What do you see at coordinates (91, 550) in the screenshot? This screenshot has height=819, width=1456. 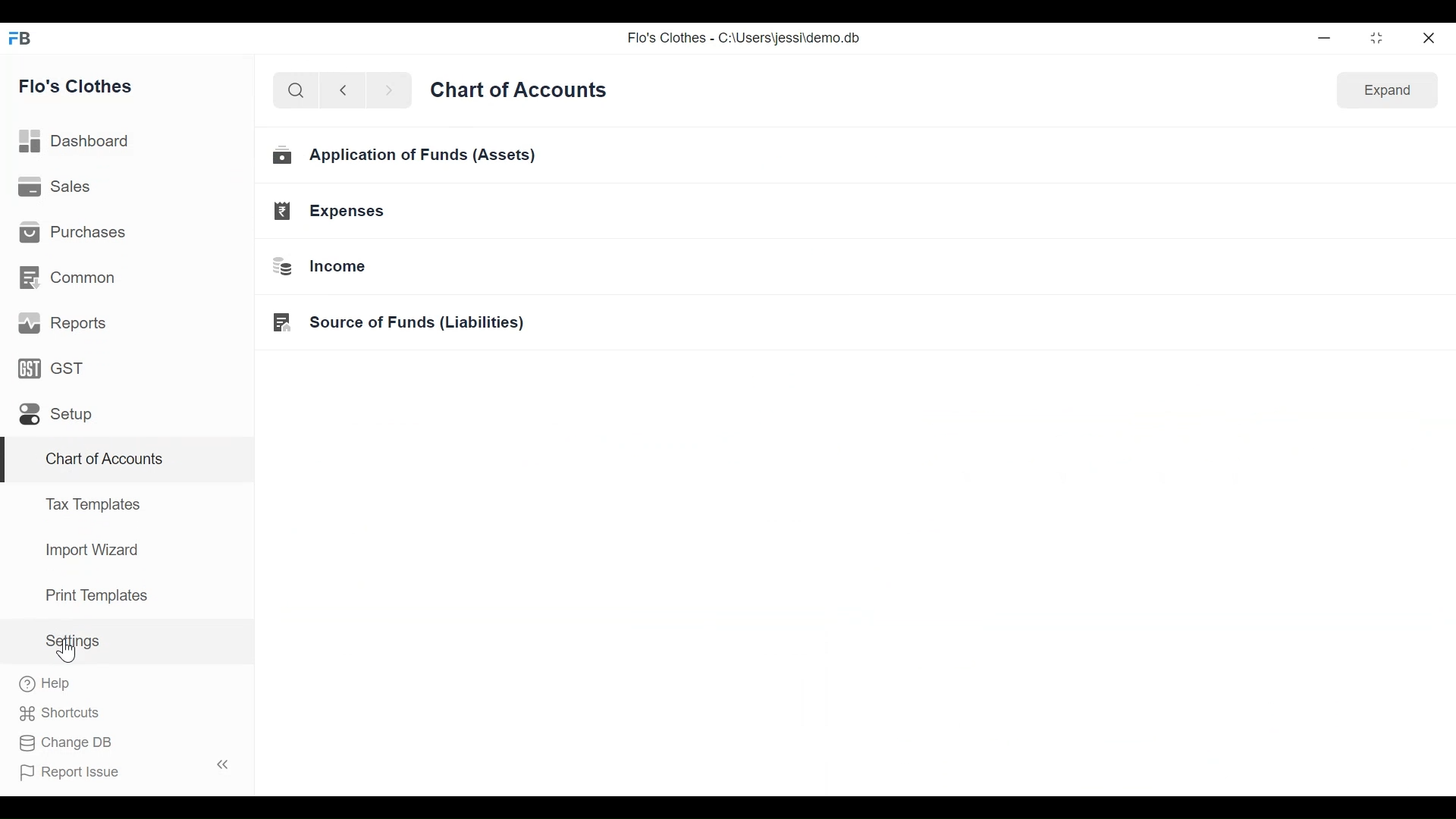 I see `import wizard` at bounding box center [91, 550].